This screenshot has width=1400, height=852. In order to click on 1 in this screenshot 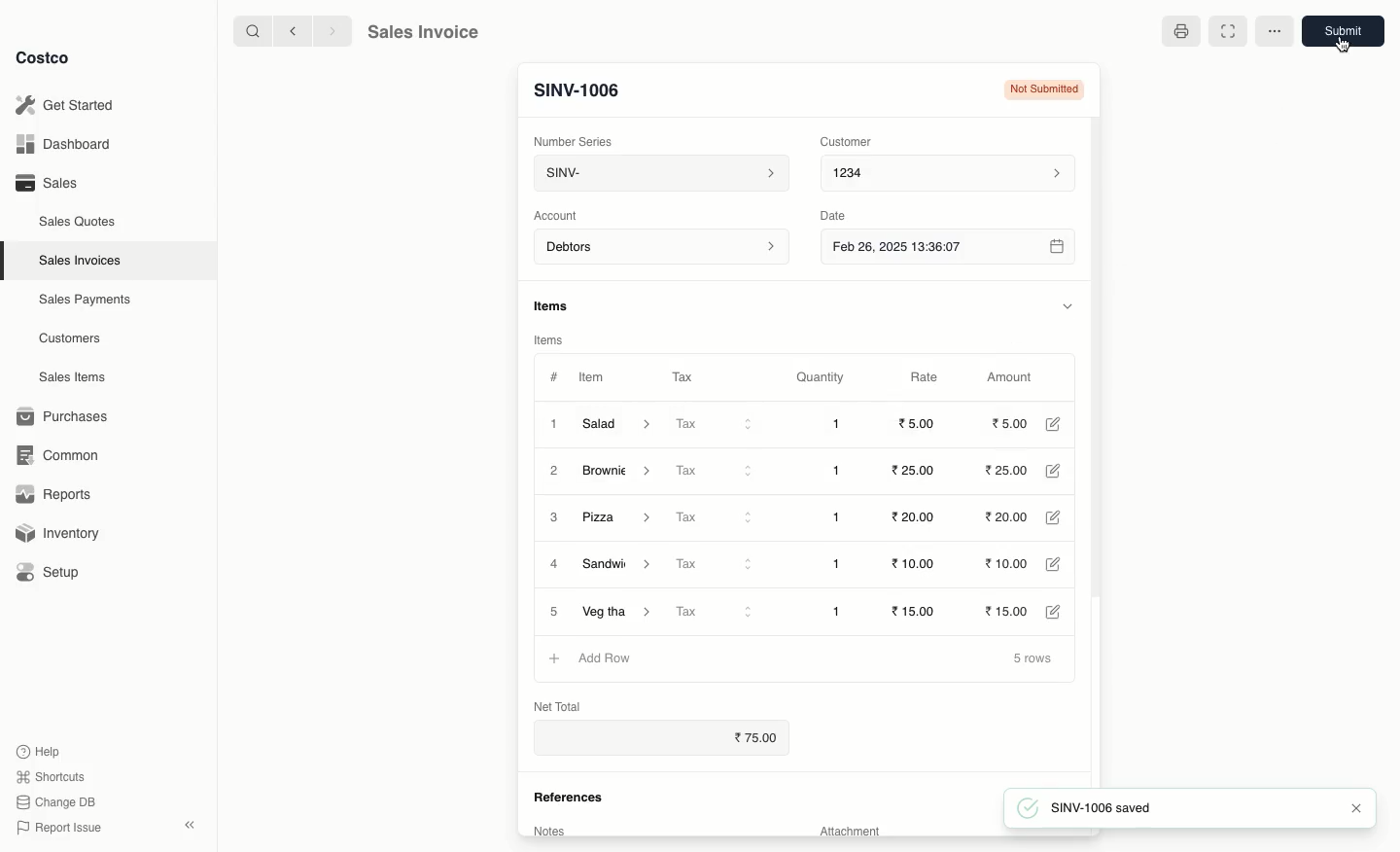, I will do `click(836, 471)`.